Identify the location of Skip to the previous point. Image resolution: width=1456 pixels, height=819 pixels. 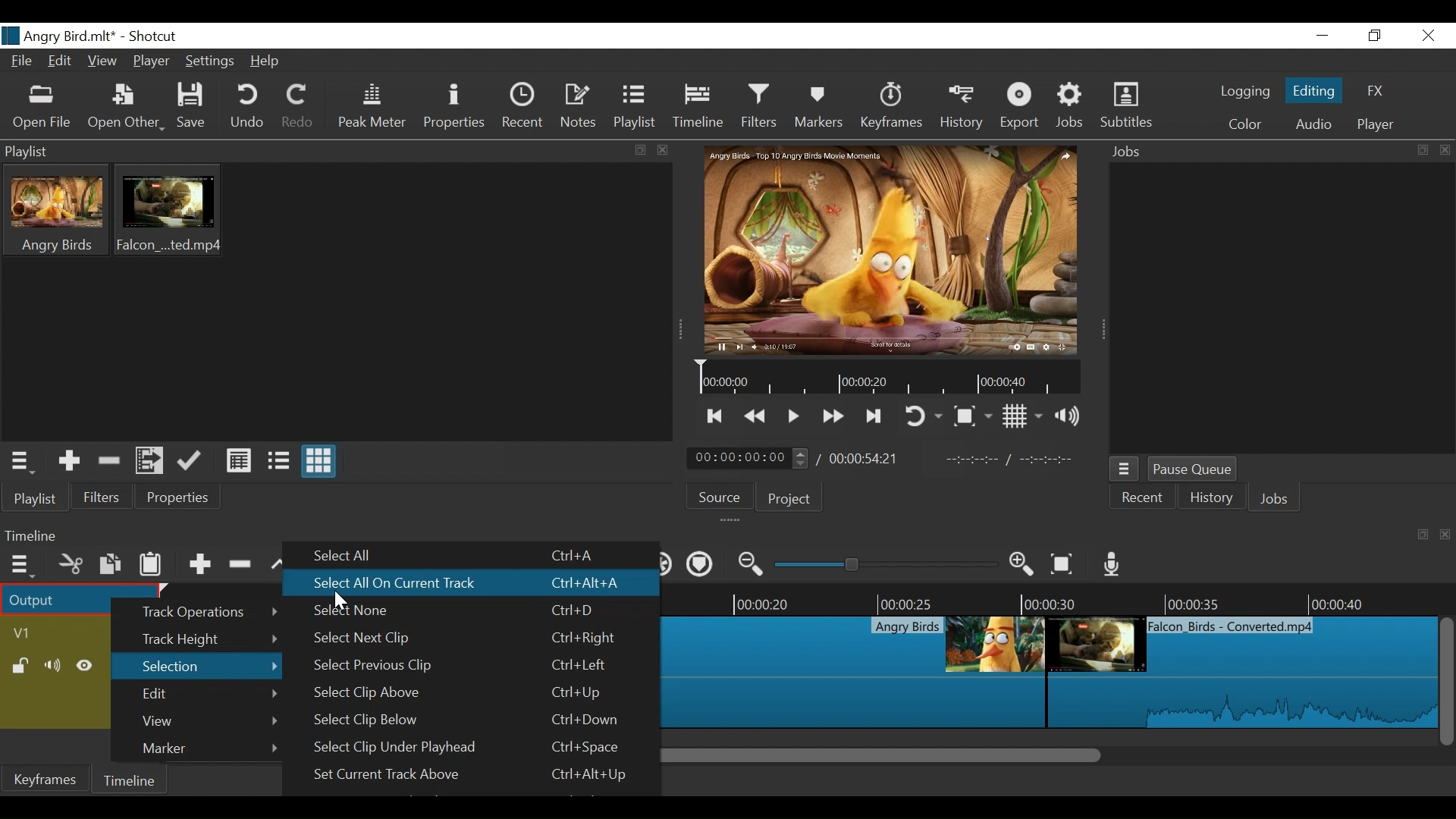
(717, 416).